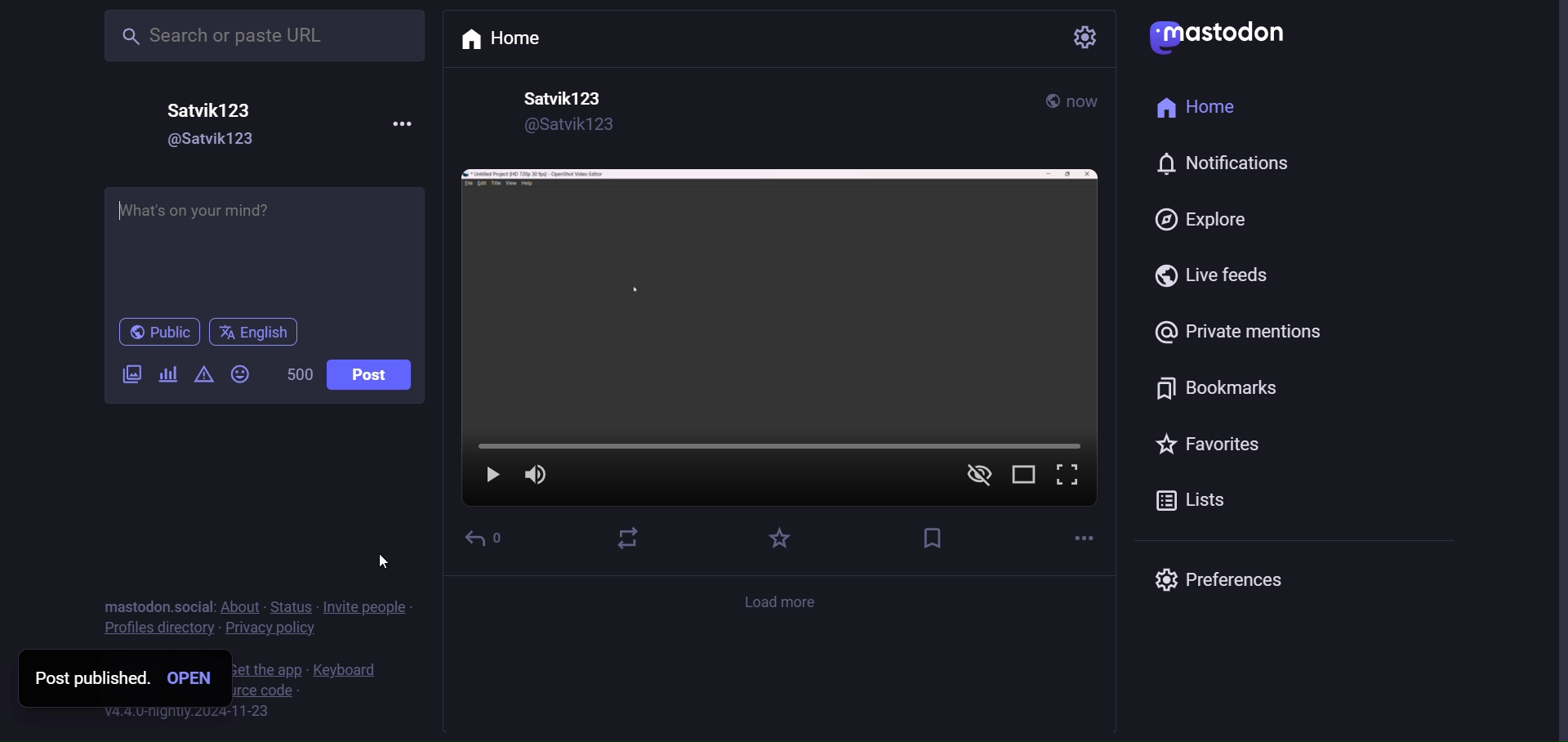 This screenshot has width=1568, height=742. I want to click on name, so click(559, 98).